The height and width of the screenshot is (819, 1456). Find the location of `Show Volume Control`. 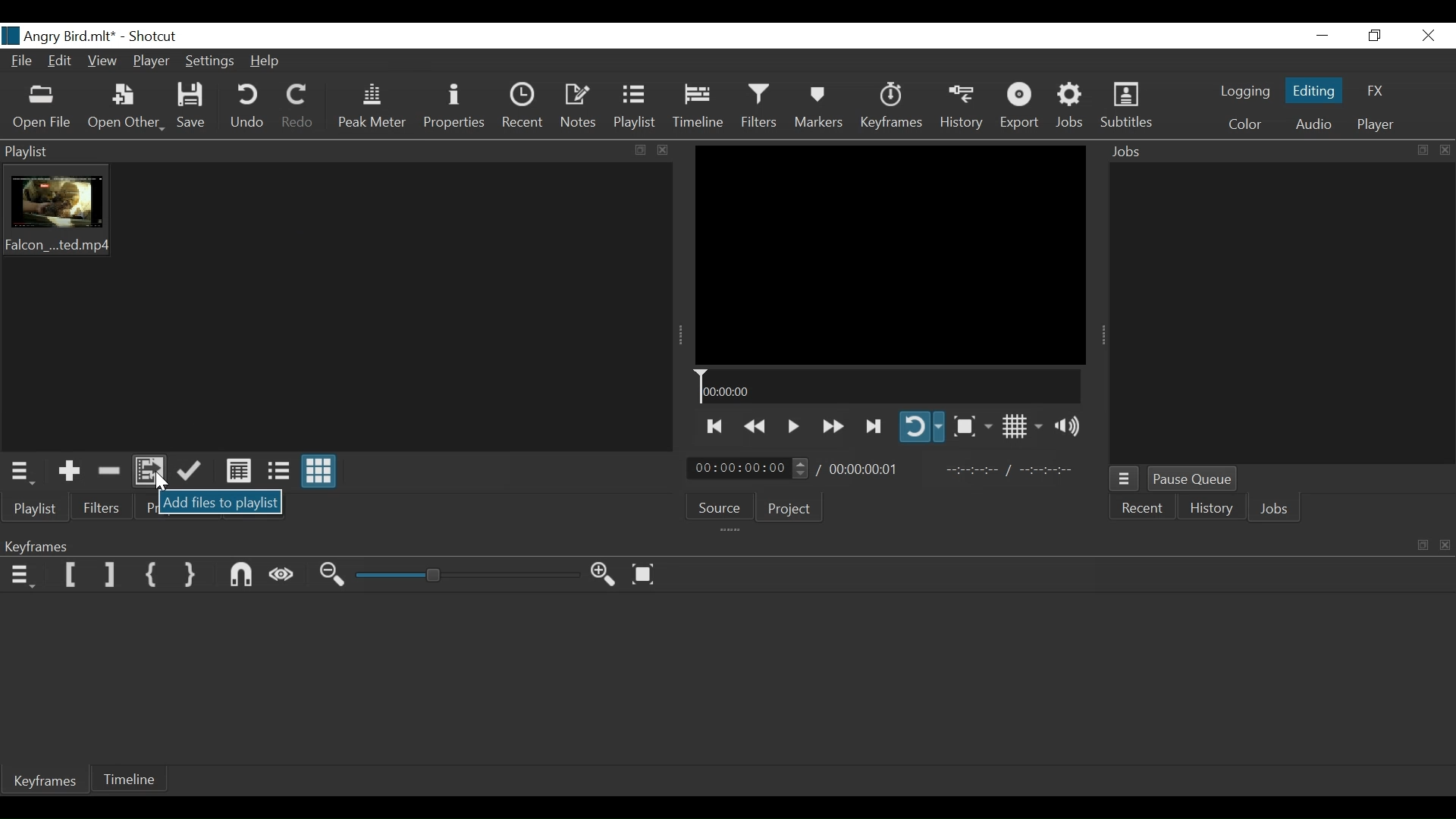

Show Volume Control is located at coordinates (1070, 427).